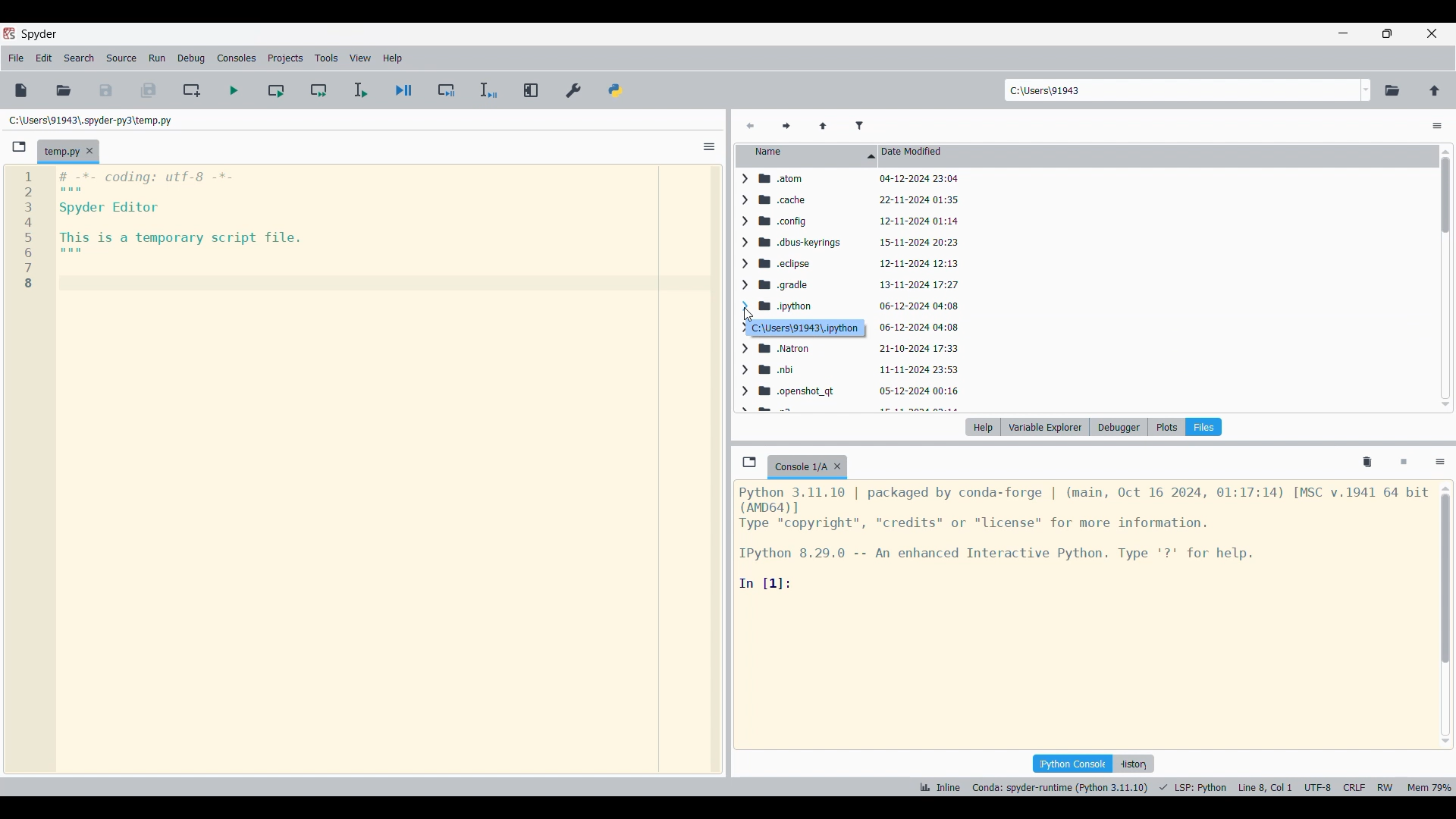 Image resolution: width=1456 pixels, height=819 pixels. I want to click on Tools menu, so click(327, 58).